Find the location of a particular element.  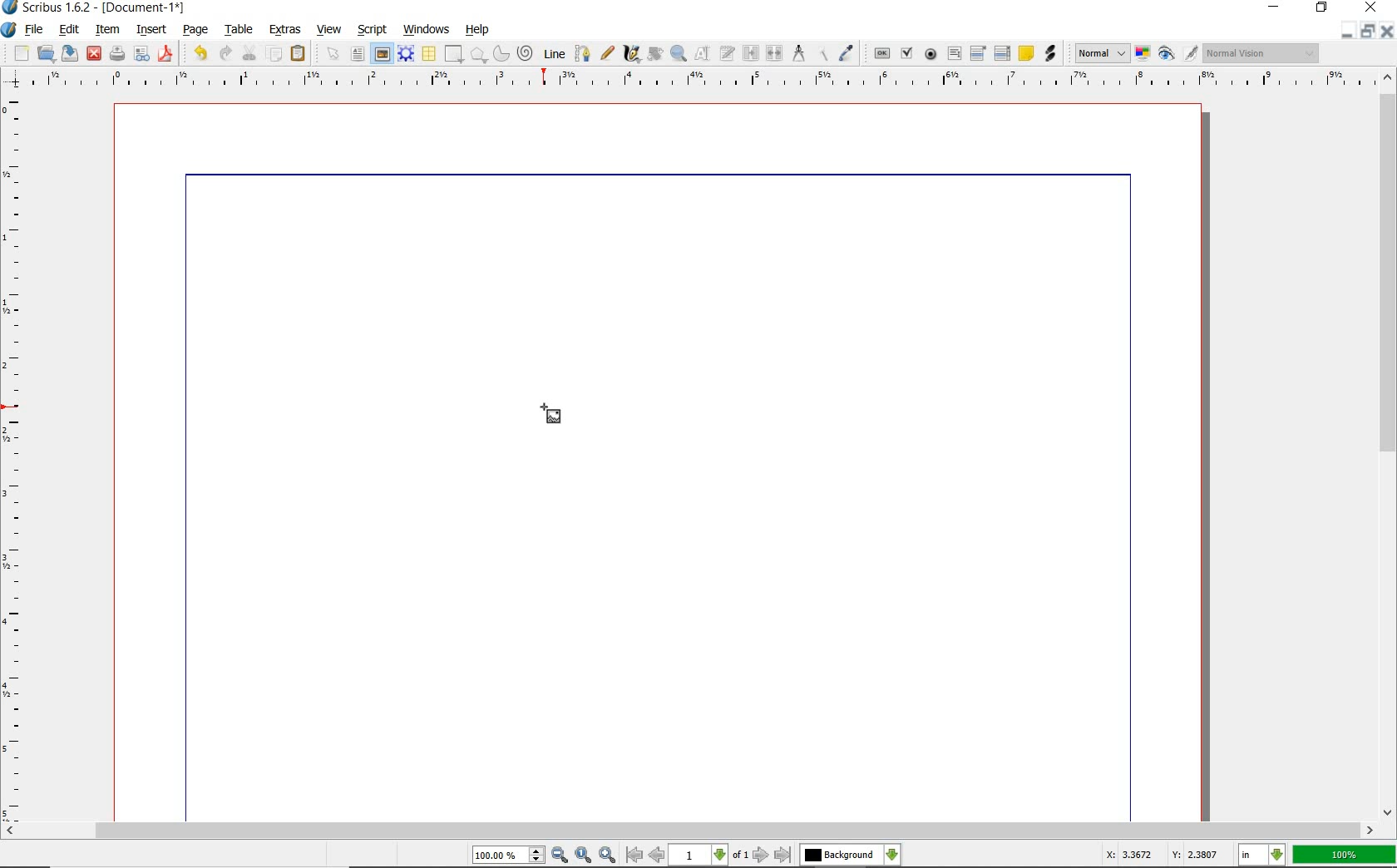

system logo is located at coordinates (8, 29).